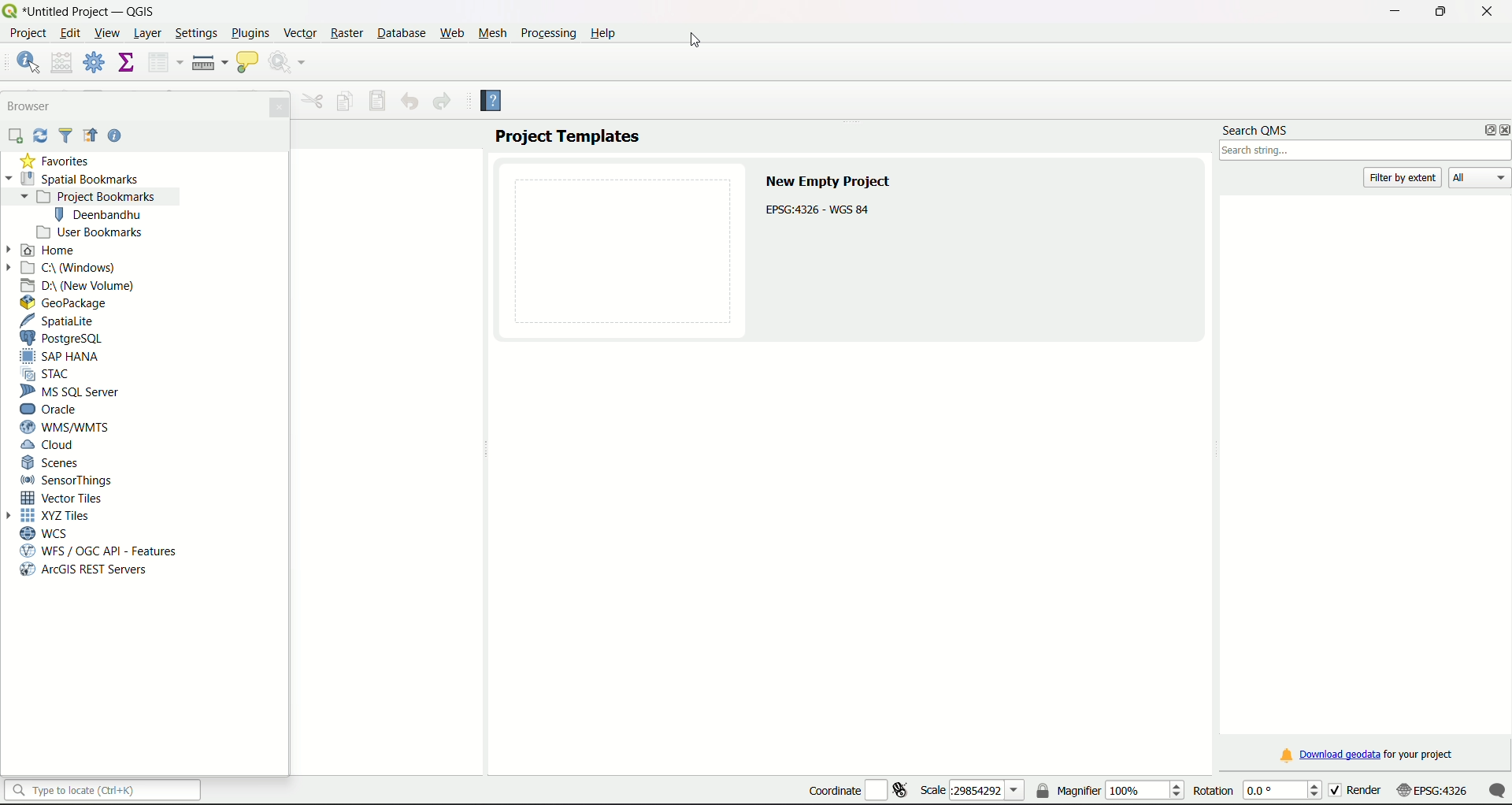 The width and height of the screenshot is (1512, 805). What do you see at coordinates (247, 63) in the screenshot?
I see `show map tips` at bounding box center [247, 63].